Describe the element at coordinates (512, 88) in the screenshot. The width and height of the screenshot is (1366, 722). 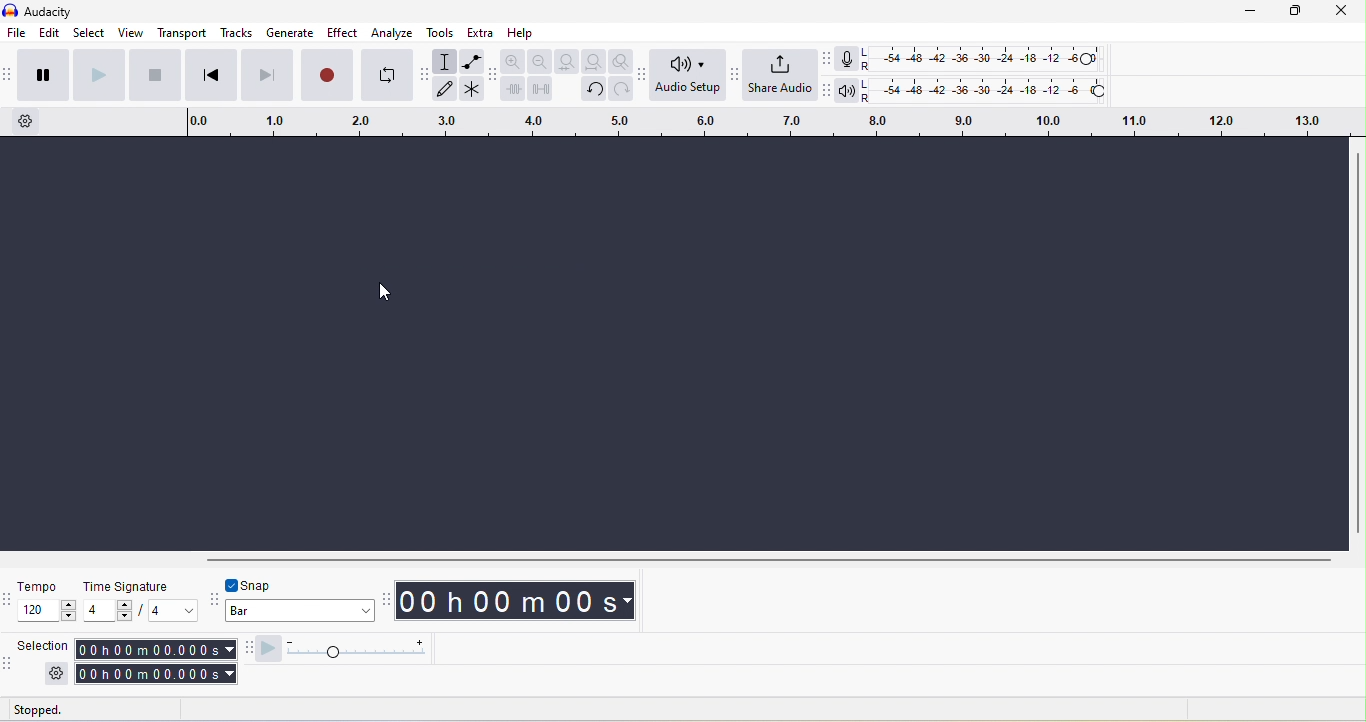
I see `trim audio outside selection` at that location.